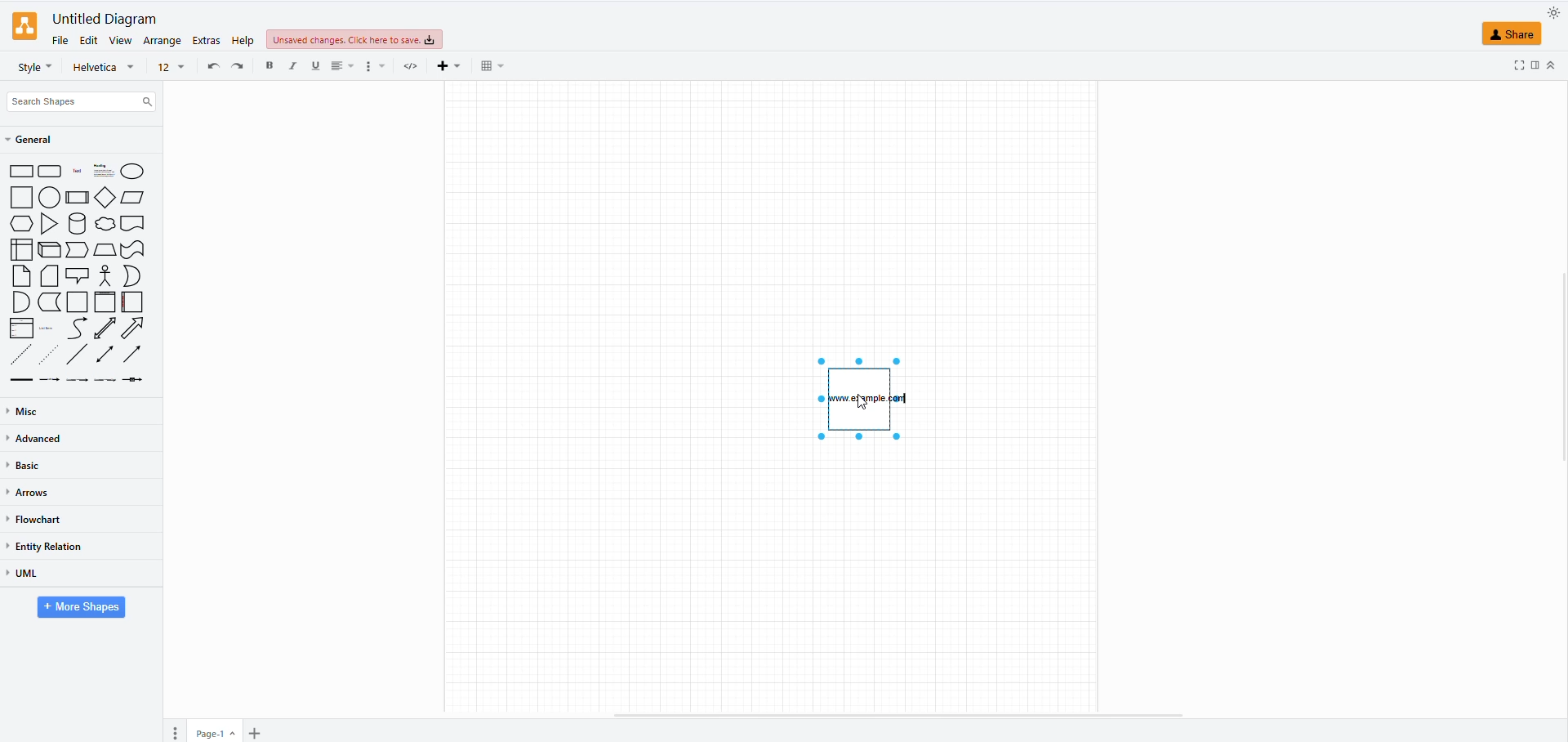  Describe the element at coordinates (38, 140) in the screenshot. I see `general` at that location.